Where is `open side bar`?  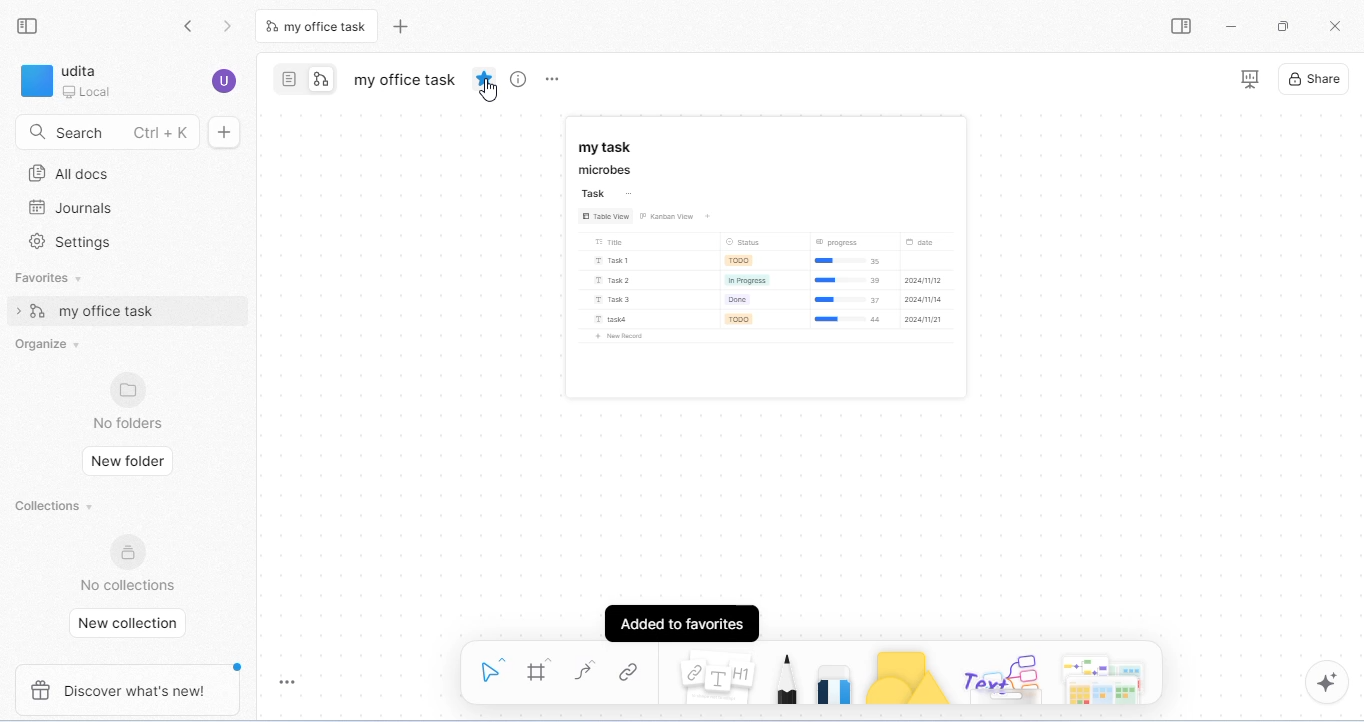 open side bar is located at coordinates (1184, 28).